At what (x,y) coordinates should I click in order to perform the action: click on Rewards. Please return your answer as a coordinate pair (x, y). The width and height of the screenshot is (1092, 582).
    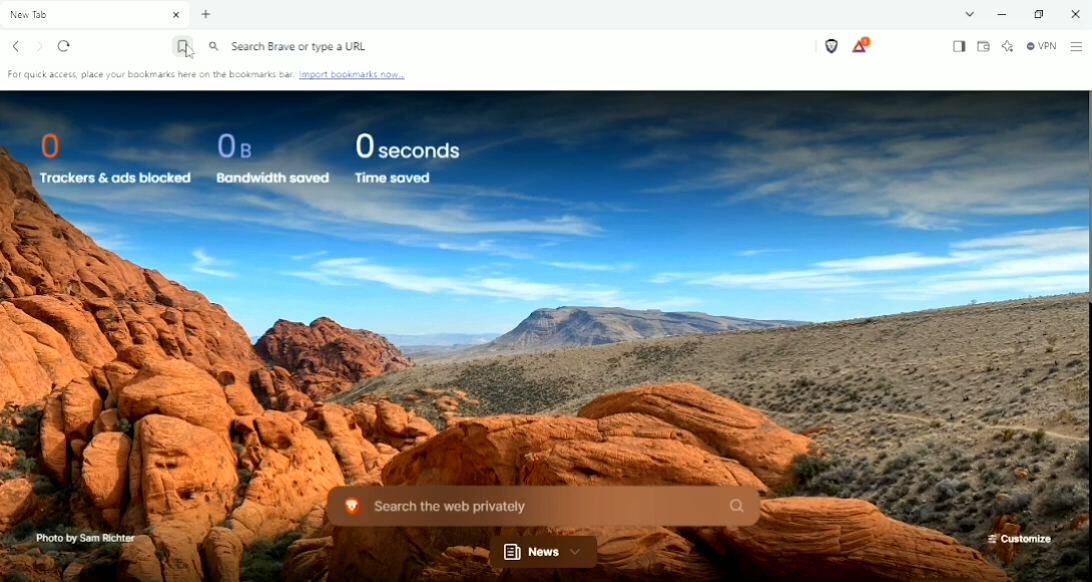
    Looking at the image, I should click on (861, 45).